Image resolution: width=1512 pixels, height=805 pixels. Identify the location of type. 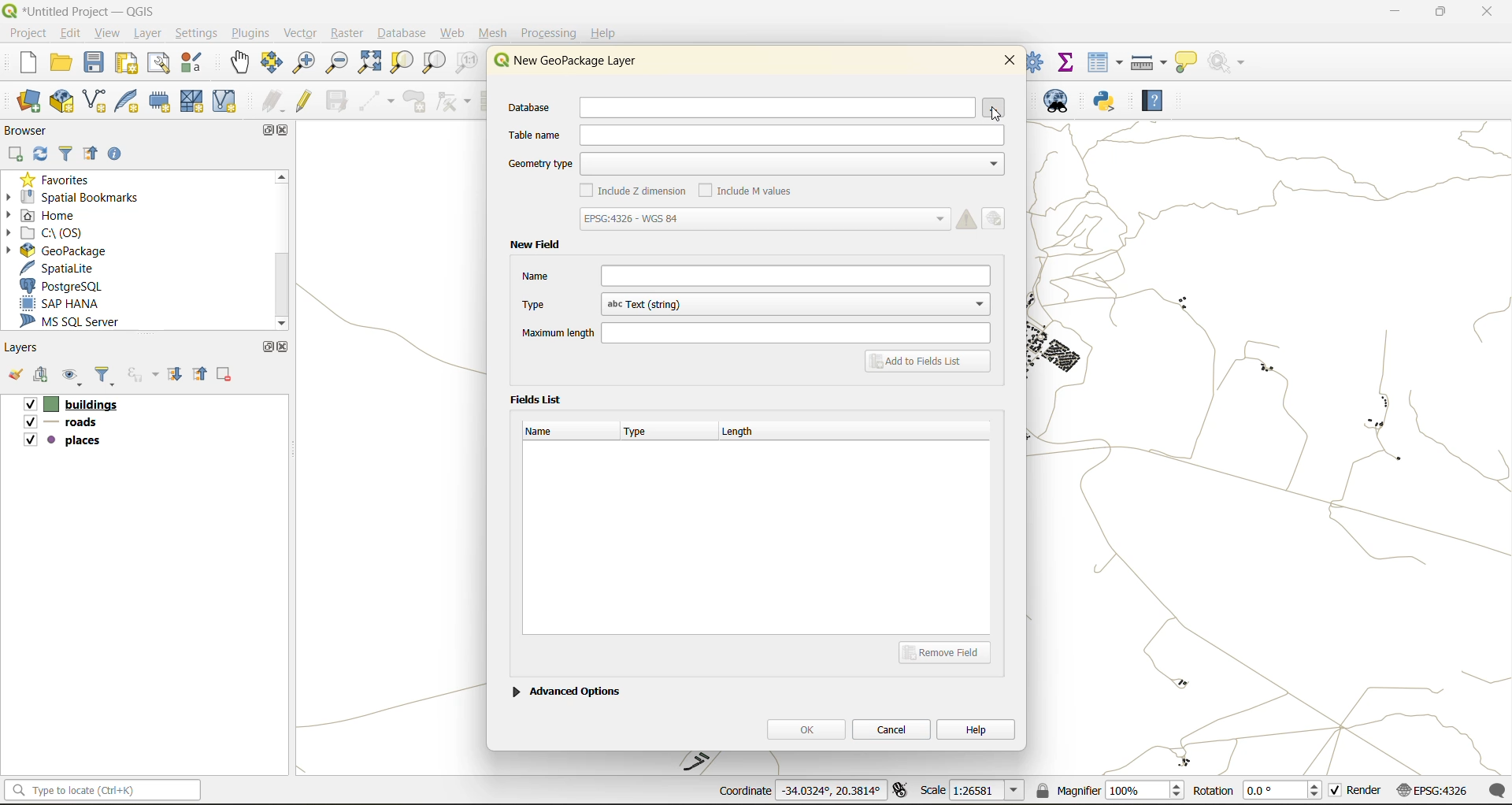
(753, 304).